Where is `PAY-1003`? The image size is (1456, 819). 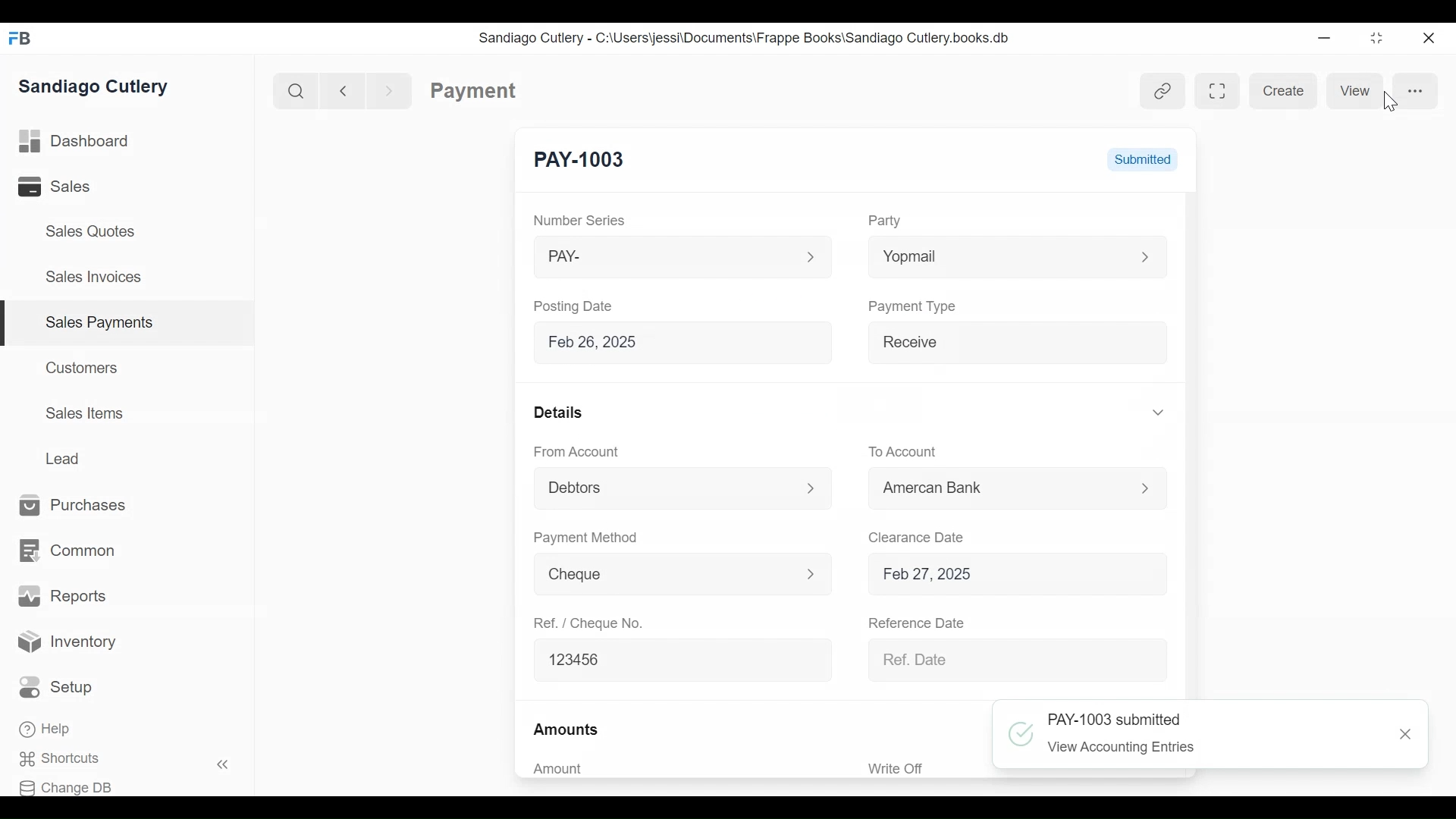 PAY-1003 is located at coordinates (580, 160).